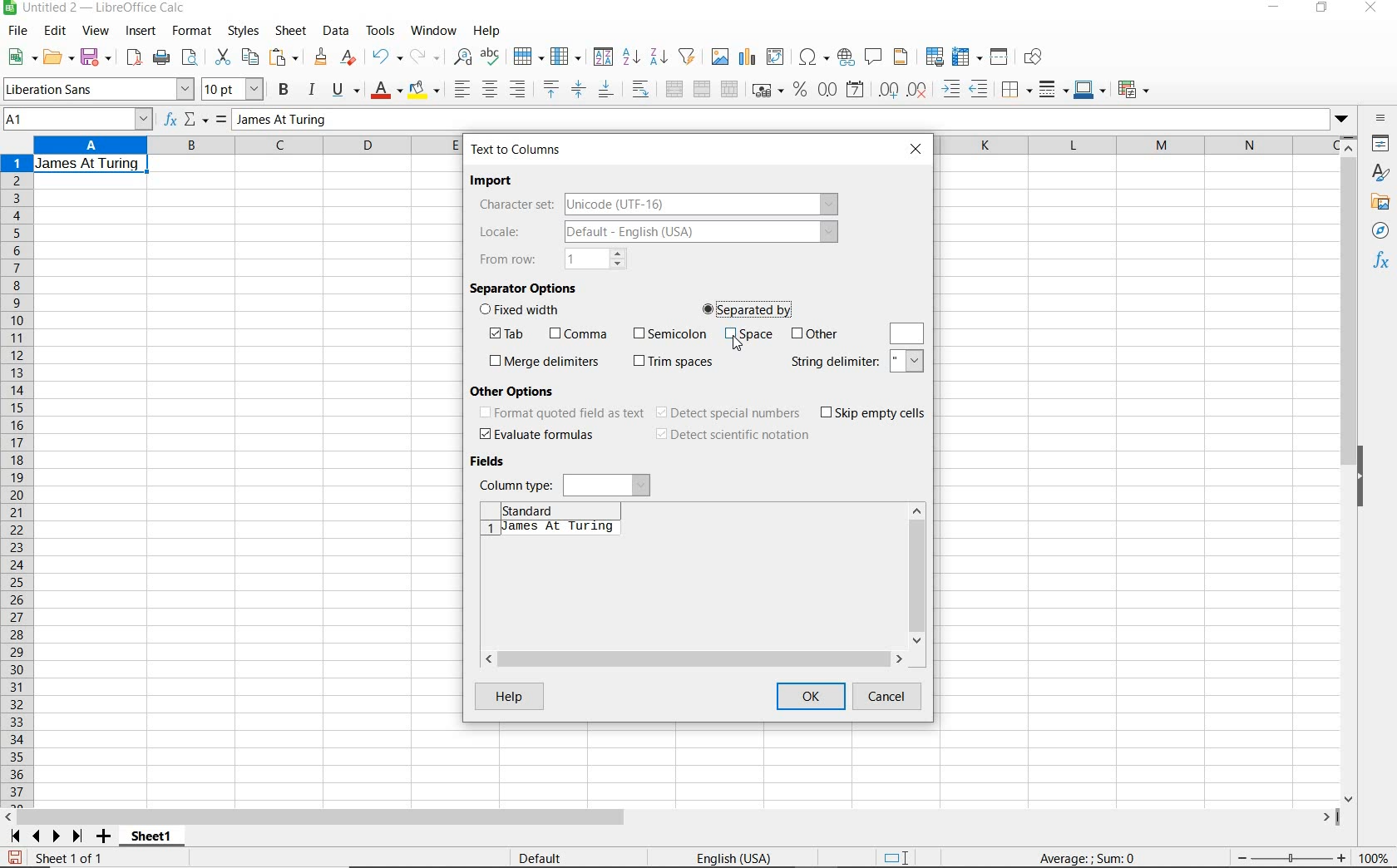 This screenshot has width=1397, height=868. Describe the element at coordinates (674, 90) in the screenshot. I see `merge and center or unmerge cells` at that location.